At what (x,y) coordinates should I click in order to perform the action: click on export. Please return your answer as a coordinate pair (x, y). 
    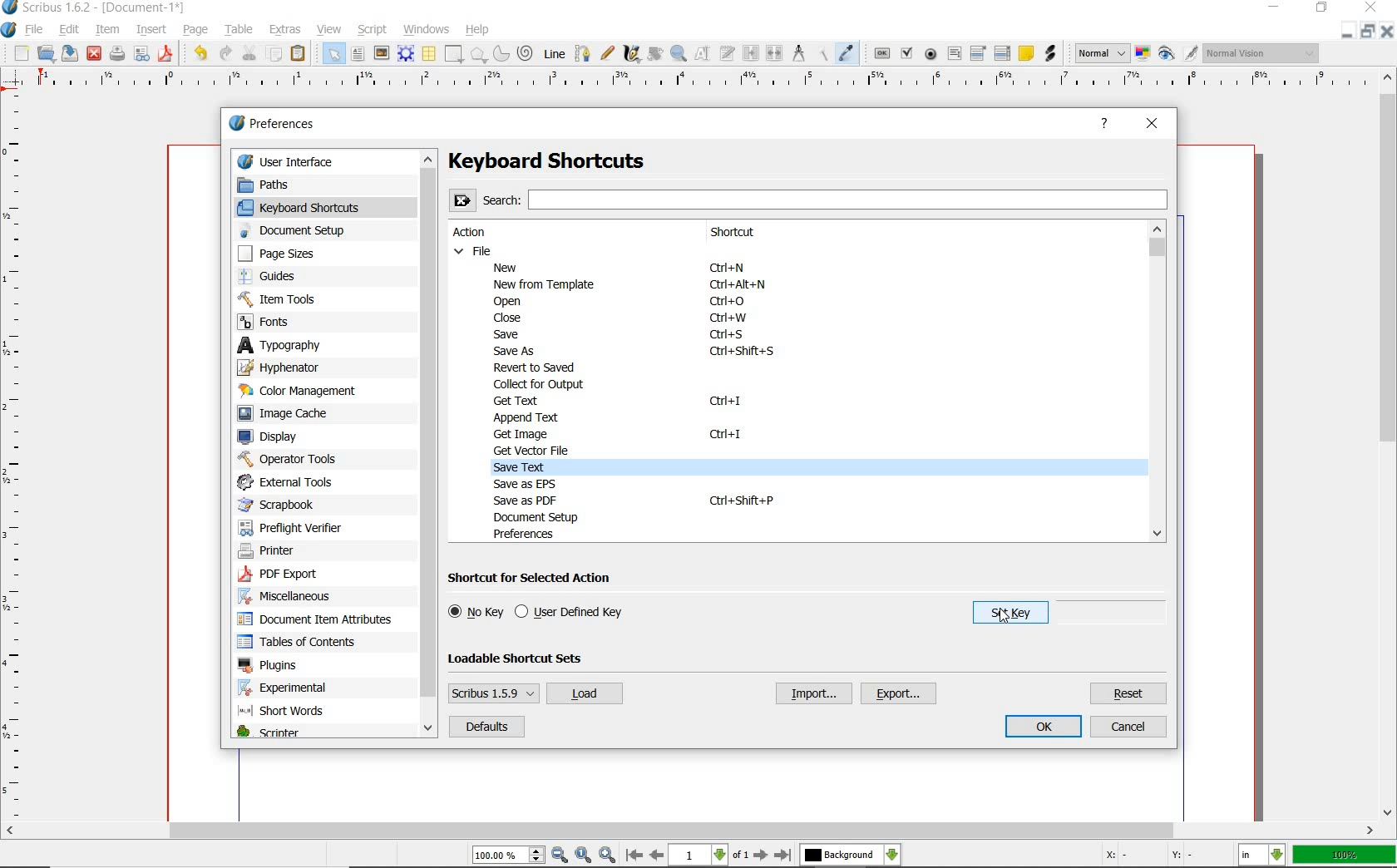
    Looking at the image, I should click on (900, 694).